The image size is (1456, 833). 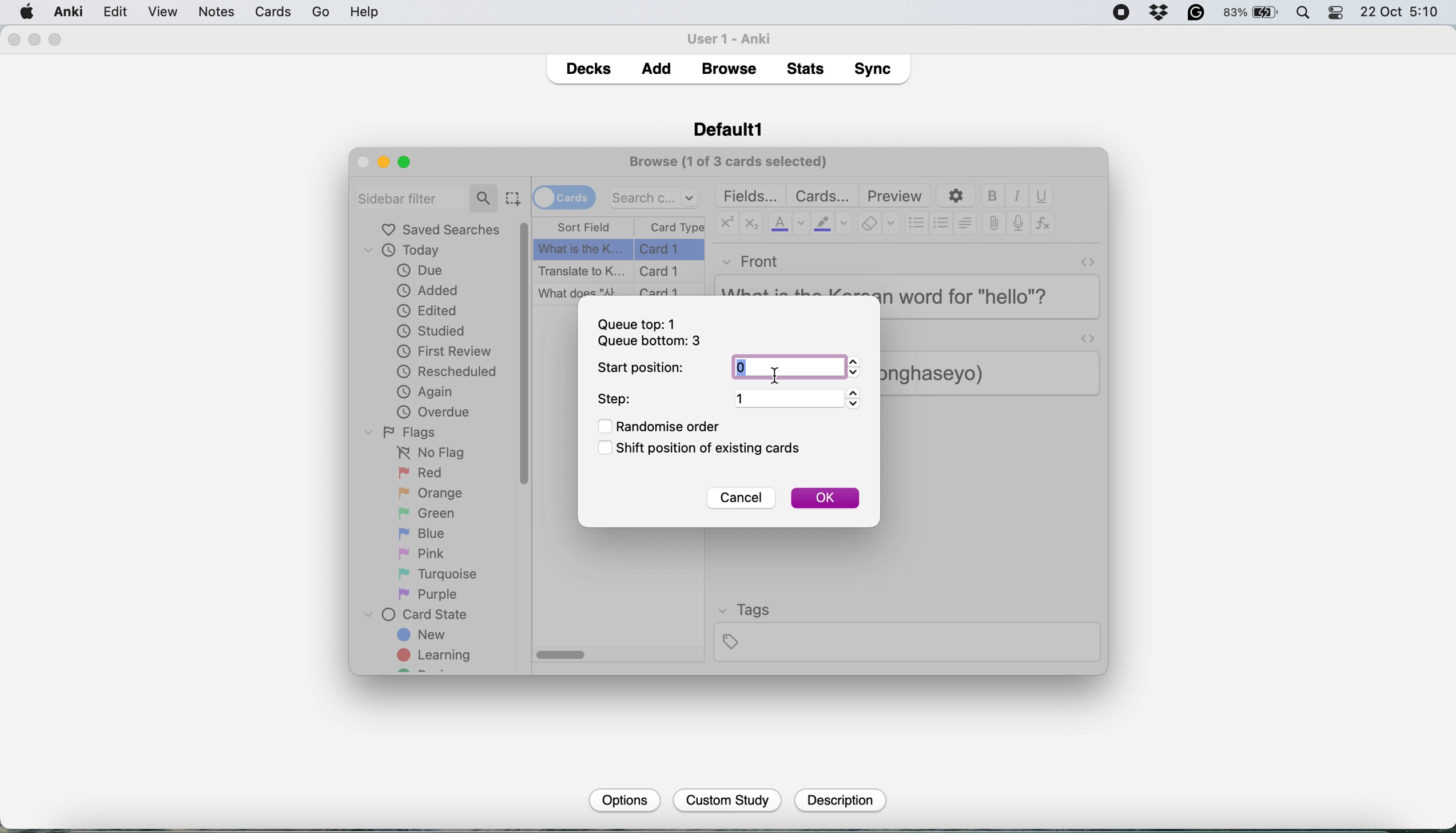 I want to click on resheduled, so click(x=451, y=372).